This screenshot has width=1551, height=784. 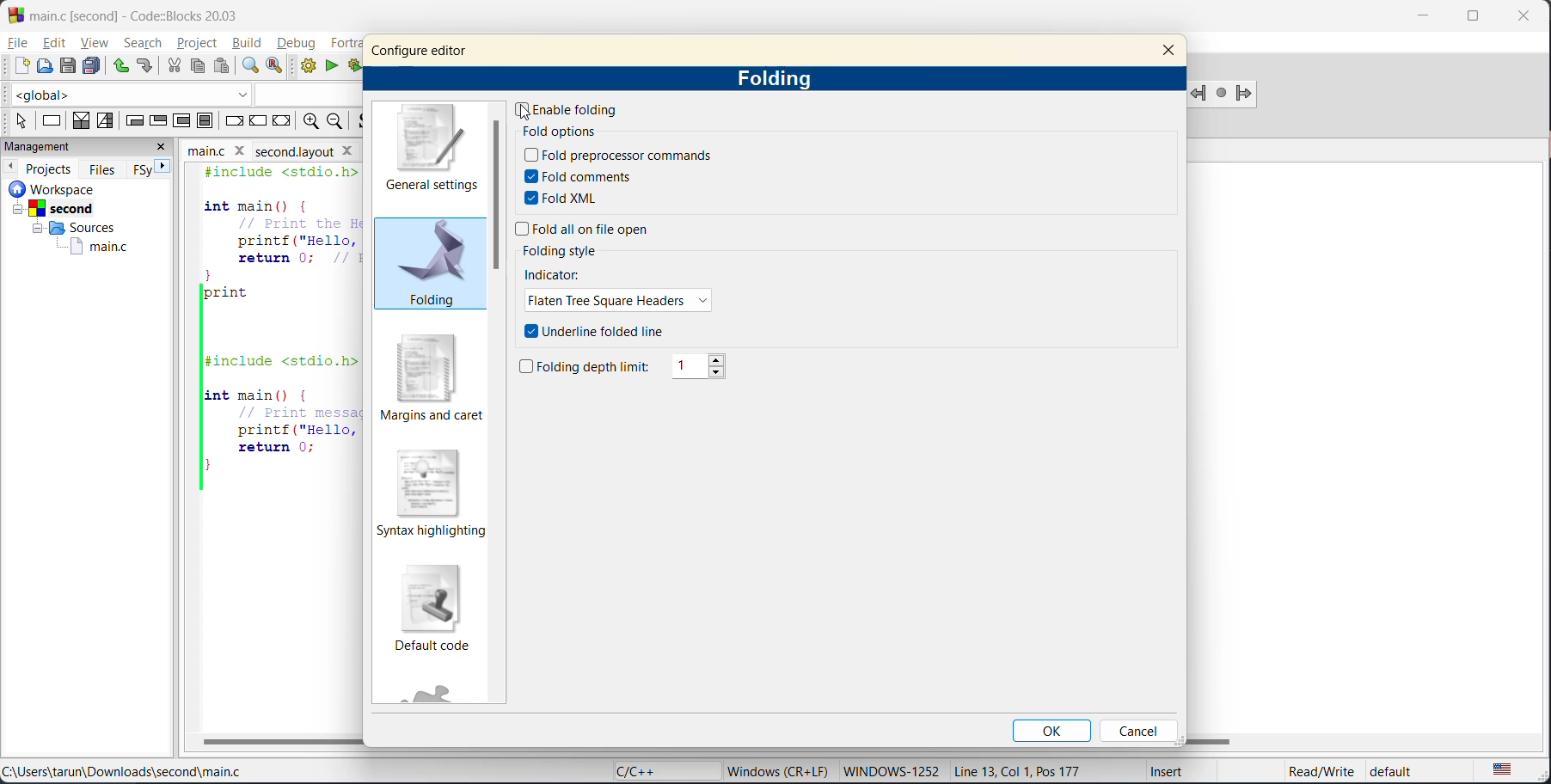 I want to click on zoom out, so click(x=340, y=121).